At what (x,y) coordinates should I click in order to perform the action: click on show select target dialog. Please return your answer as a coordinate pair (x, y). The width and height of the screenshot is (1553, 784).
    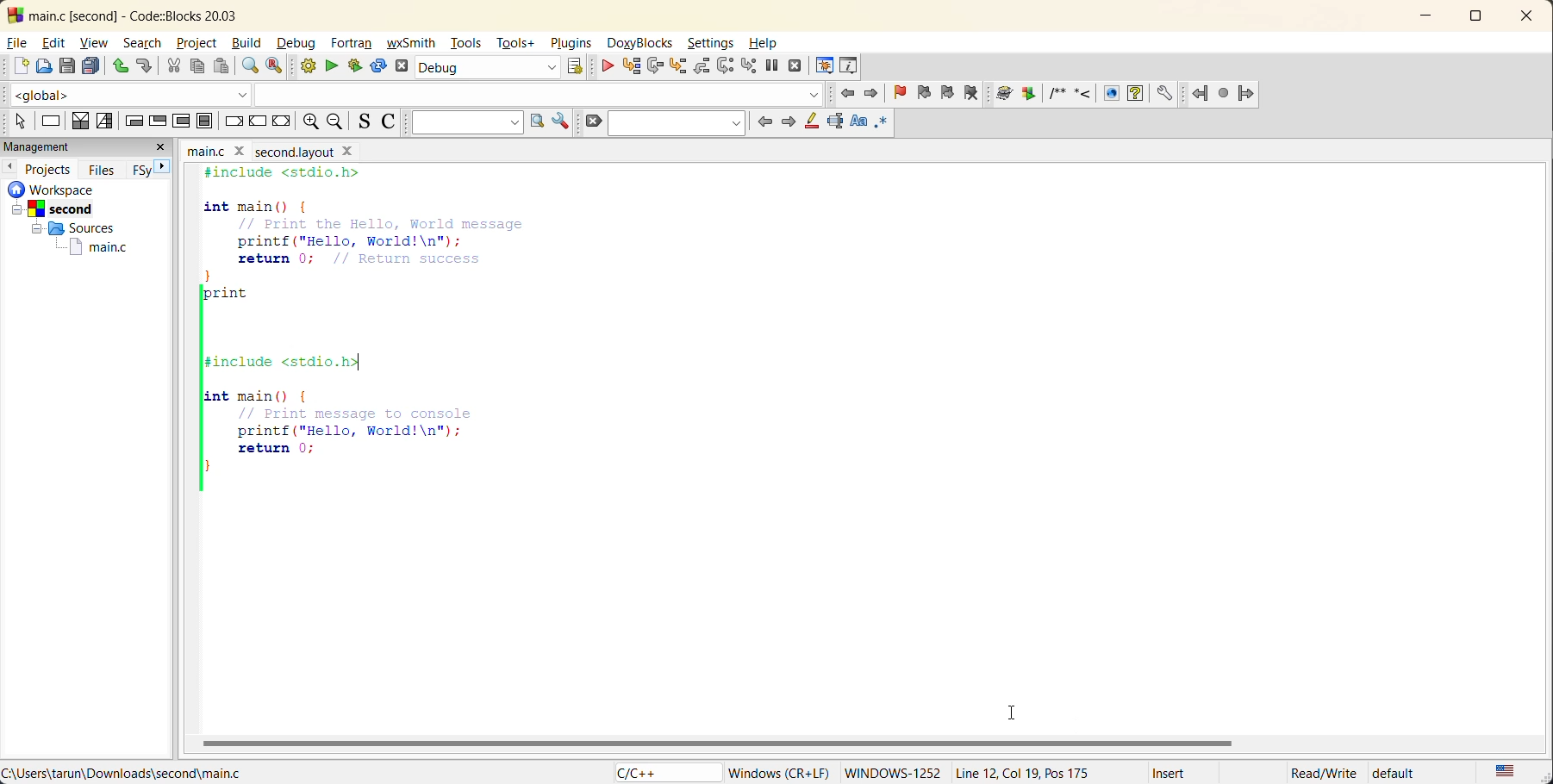
    Looking at the image, I should click on (571, 66).